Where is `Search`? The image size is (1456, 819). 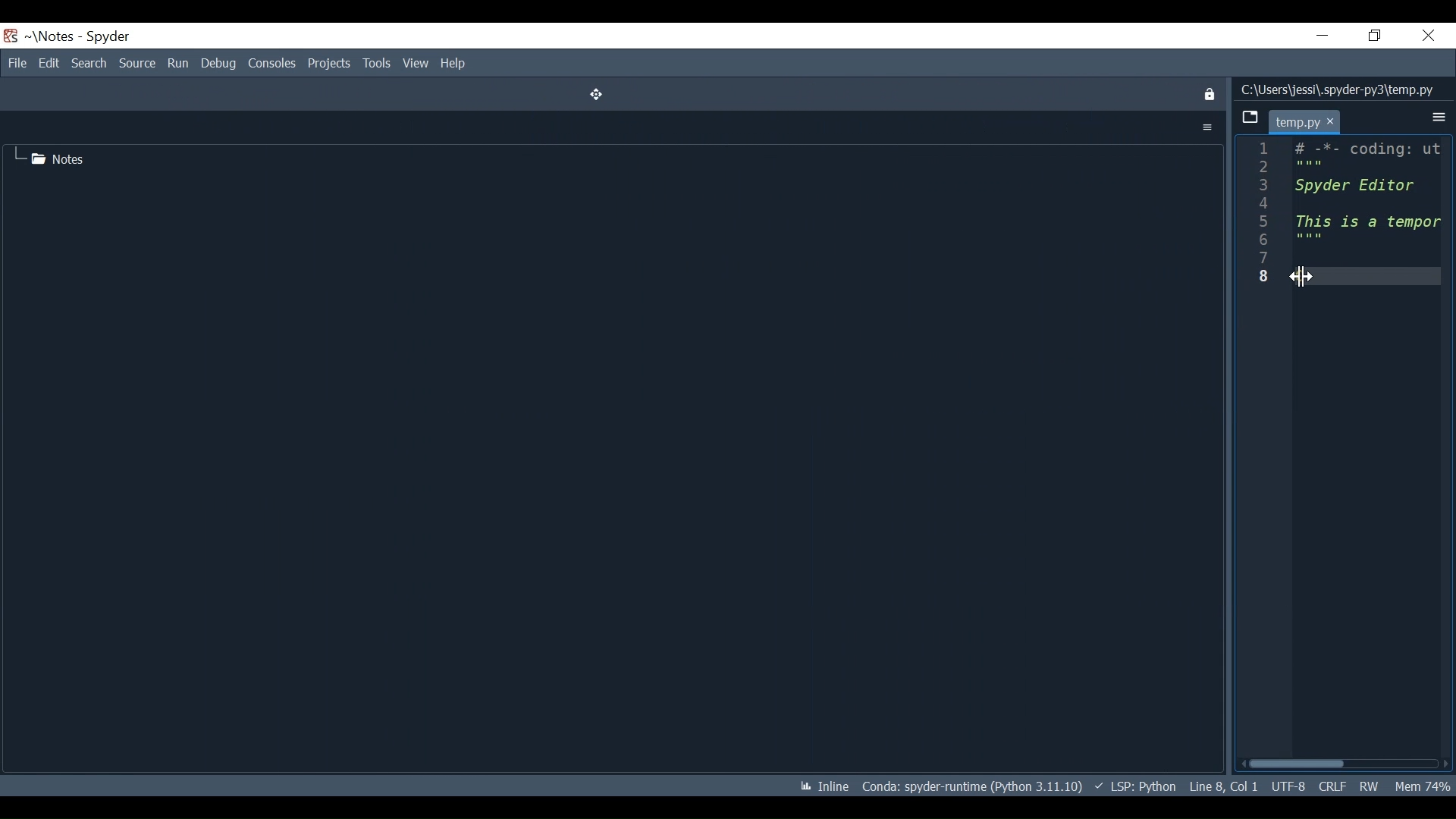
Search is located at coordinates (88, 63).